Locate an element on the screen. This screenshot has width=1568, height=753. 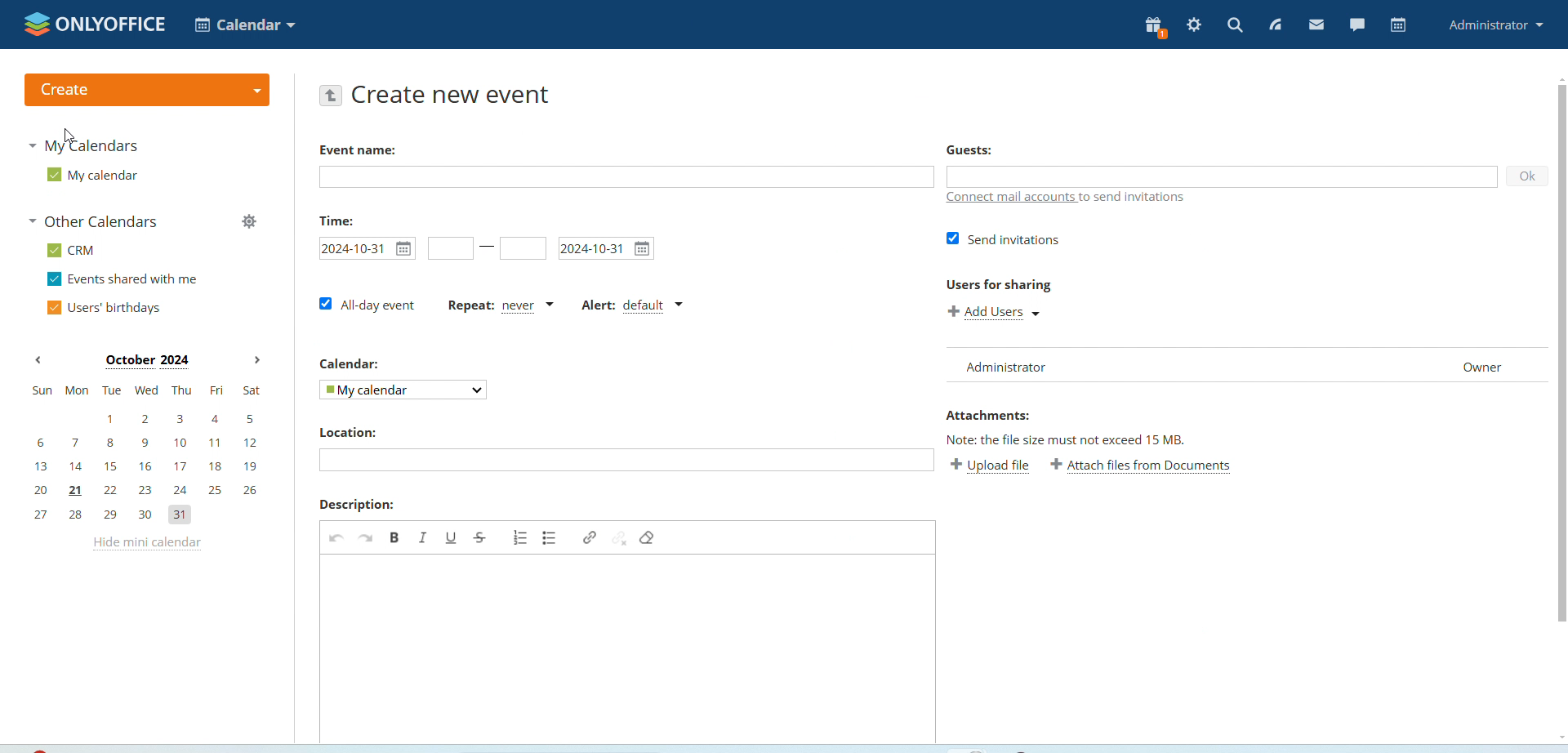
upload file is located at coordinates (991, 466).